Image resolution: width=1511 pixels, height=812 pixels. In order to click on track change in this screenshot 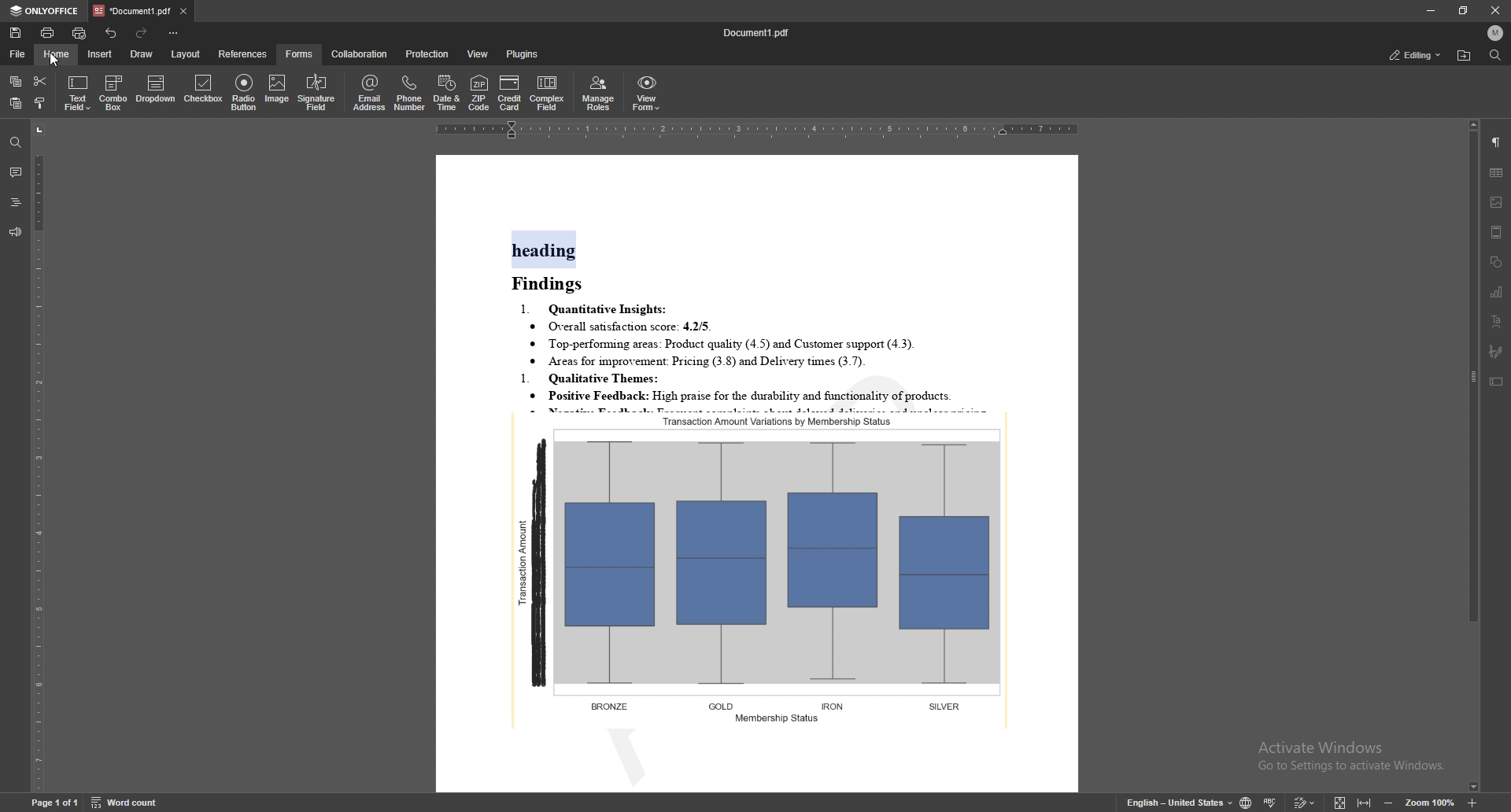, I will do `click(1304, 802)`.